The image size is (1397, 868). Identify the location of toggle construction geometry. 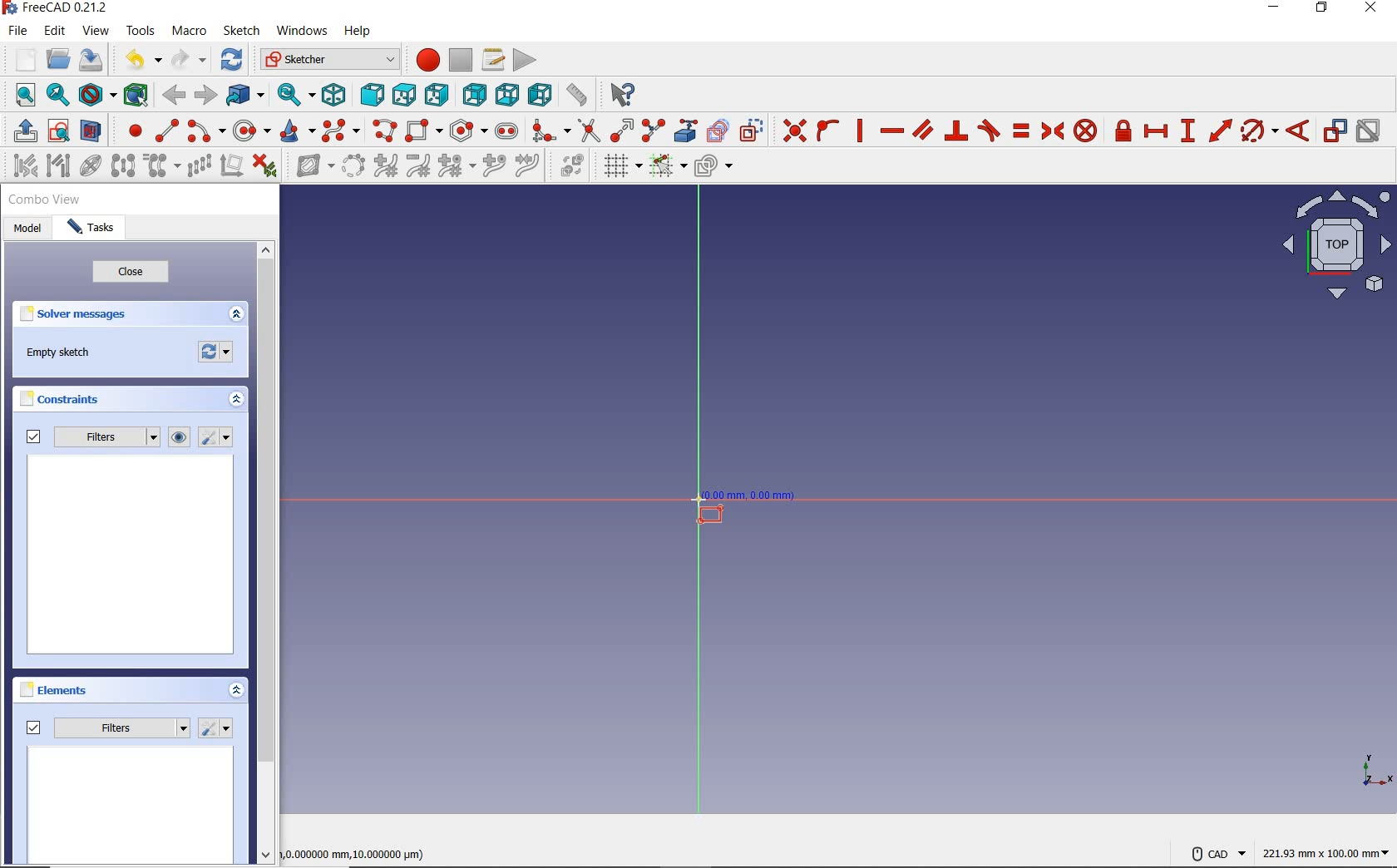
(753, 131).